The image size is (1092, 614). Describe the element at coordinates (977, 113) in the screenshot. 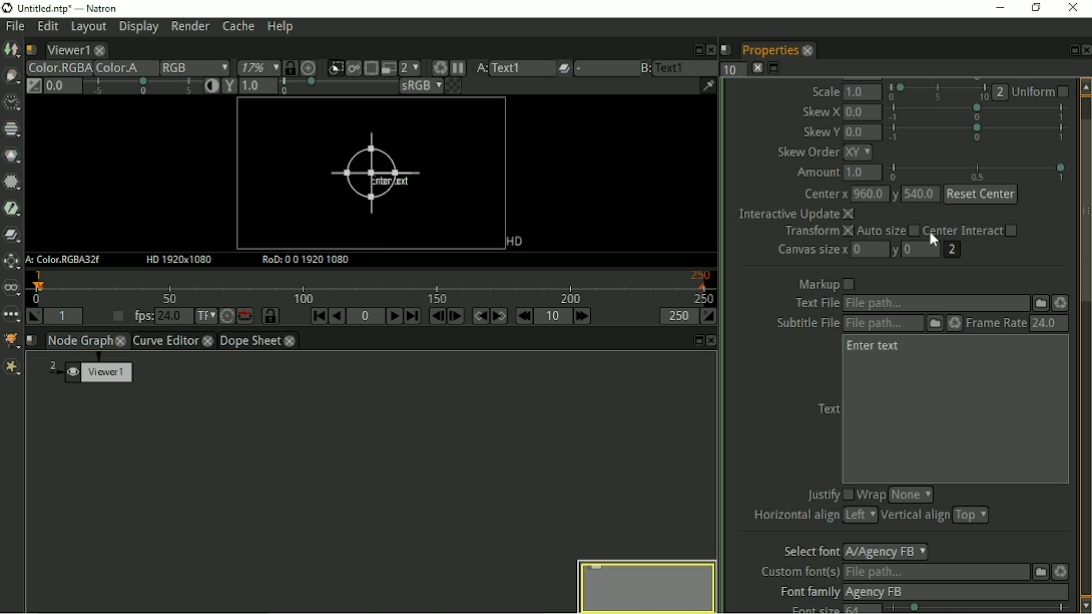

I see `selection bar` at that location.